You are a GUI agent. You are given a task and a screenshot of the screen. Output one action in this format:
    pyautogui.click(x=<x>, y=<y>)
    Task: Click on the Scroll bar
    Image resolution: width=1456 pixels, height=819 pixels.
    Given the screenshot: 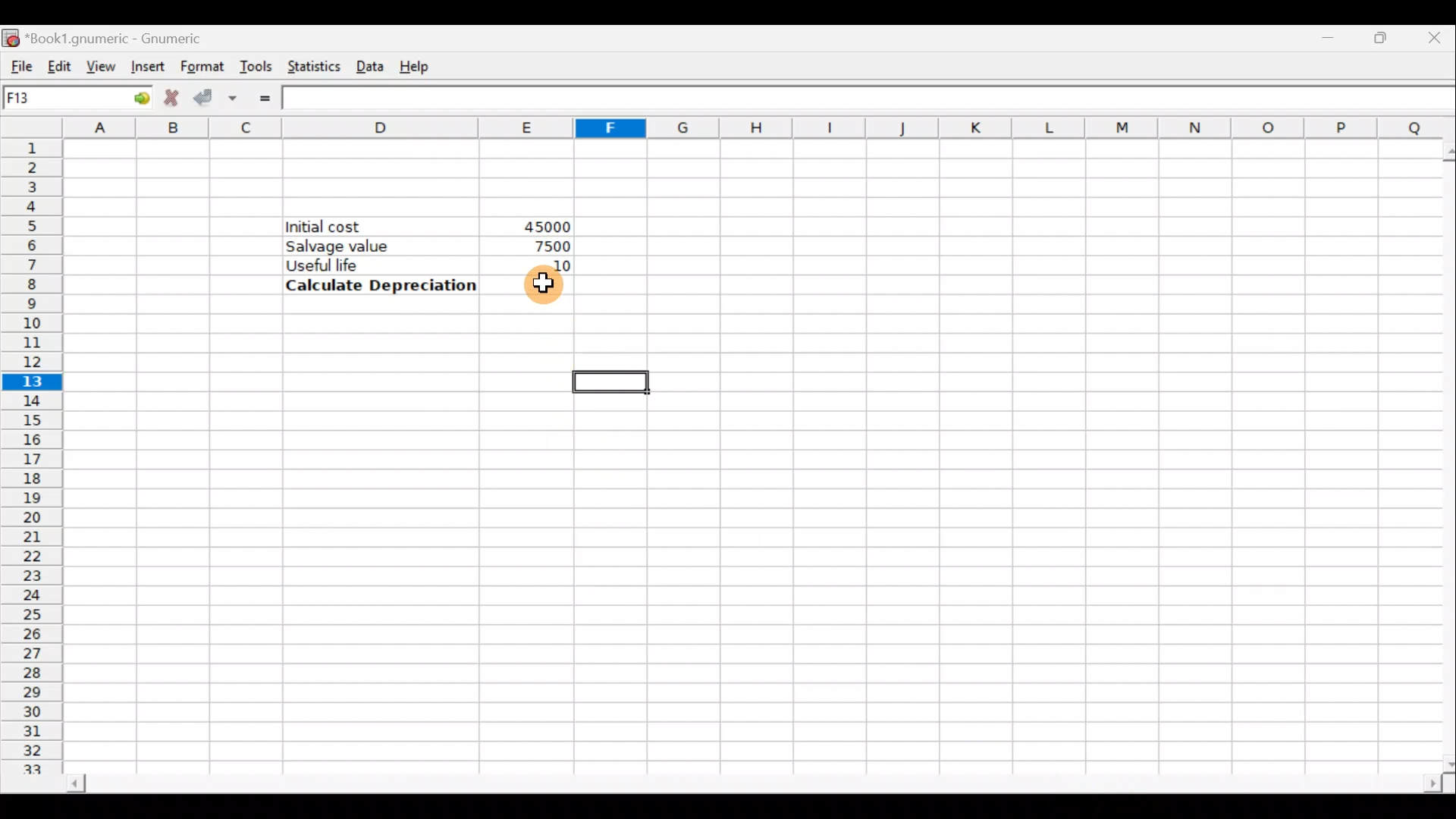 What is the action you would take?
    pyautogui.click(x=739, y=780)
    